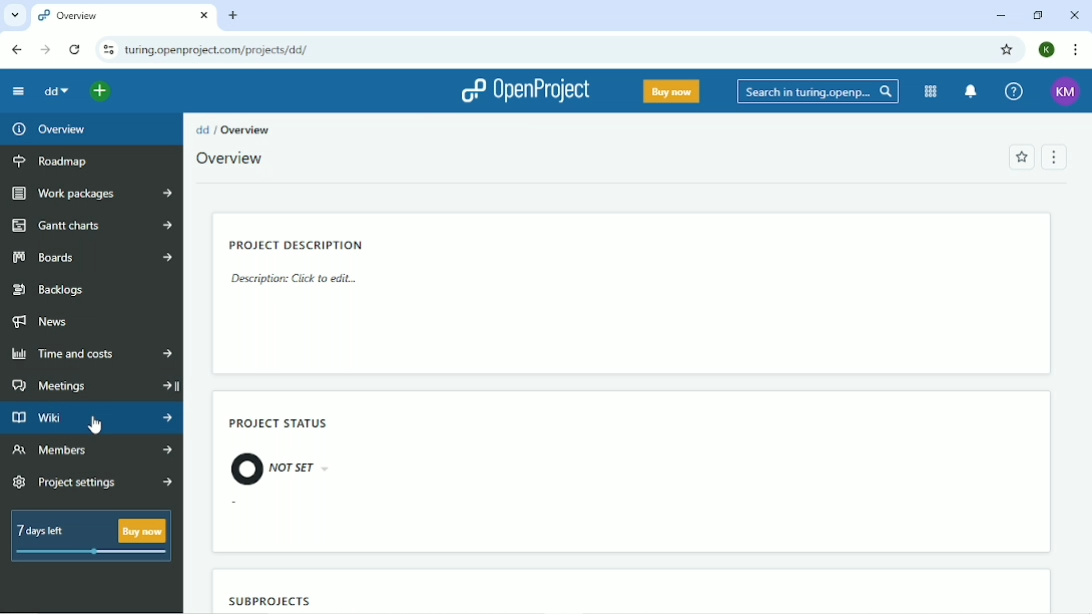 The width and height of the screenshot is (1092, 614). What do you see at coordinates (93, 452) in the screenshot?
I see `Member` at bounding box center [93, 452].